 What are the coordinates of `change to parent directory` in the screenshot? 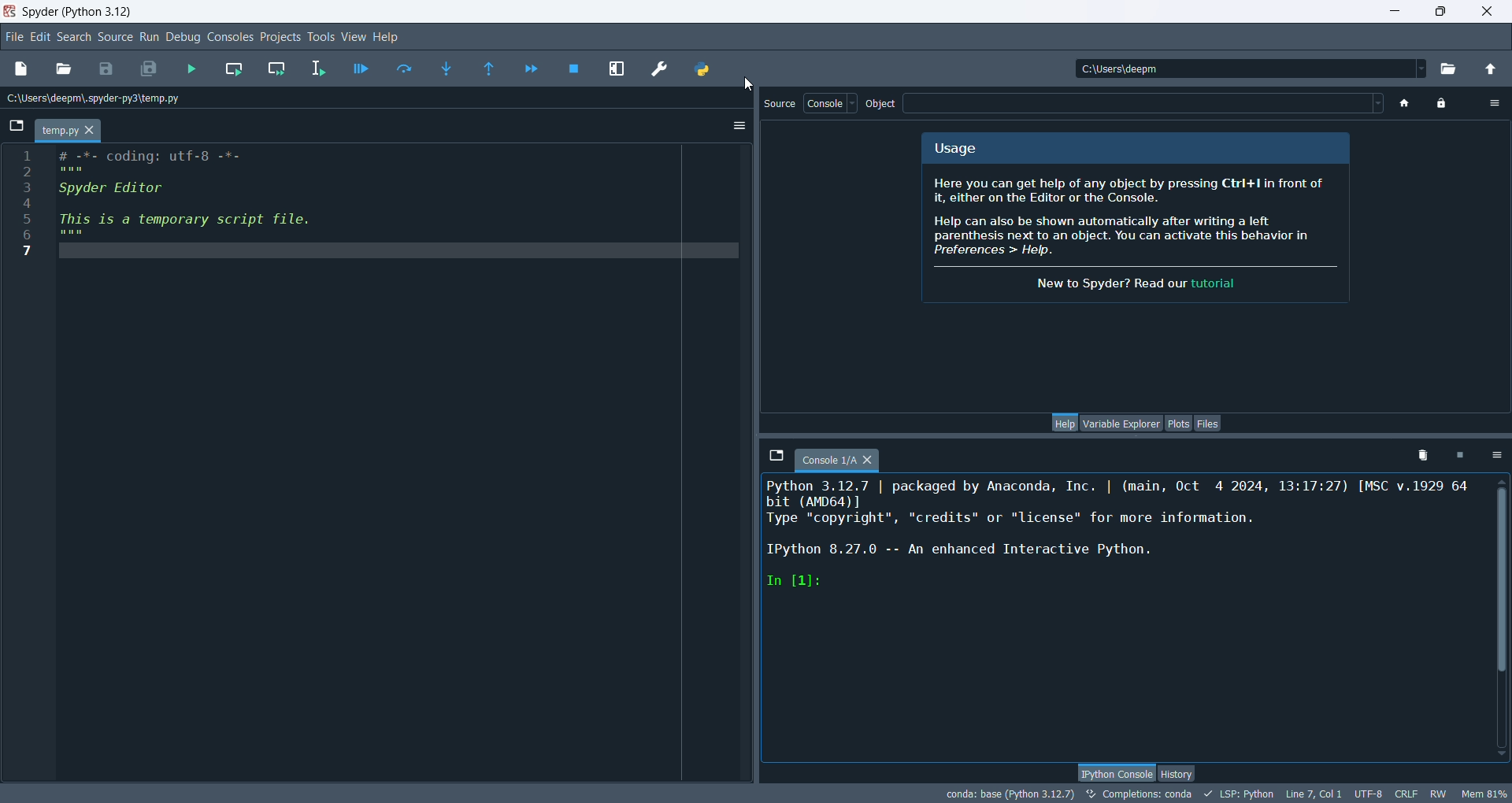 It's located at (1494, 68).